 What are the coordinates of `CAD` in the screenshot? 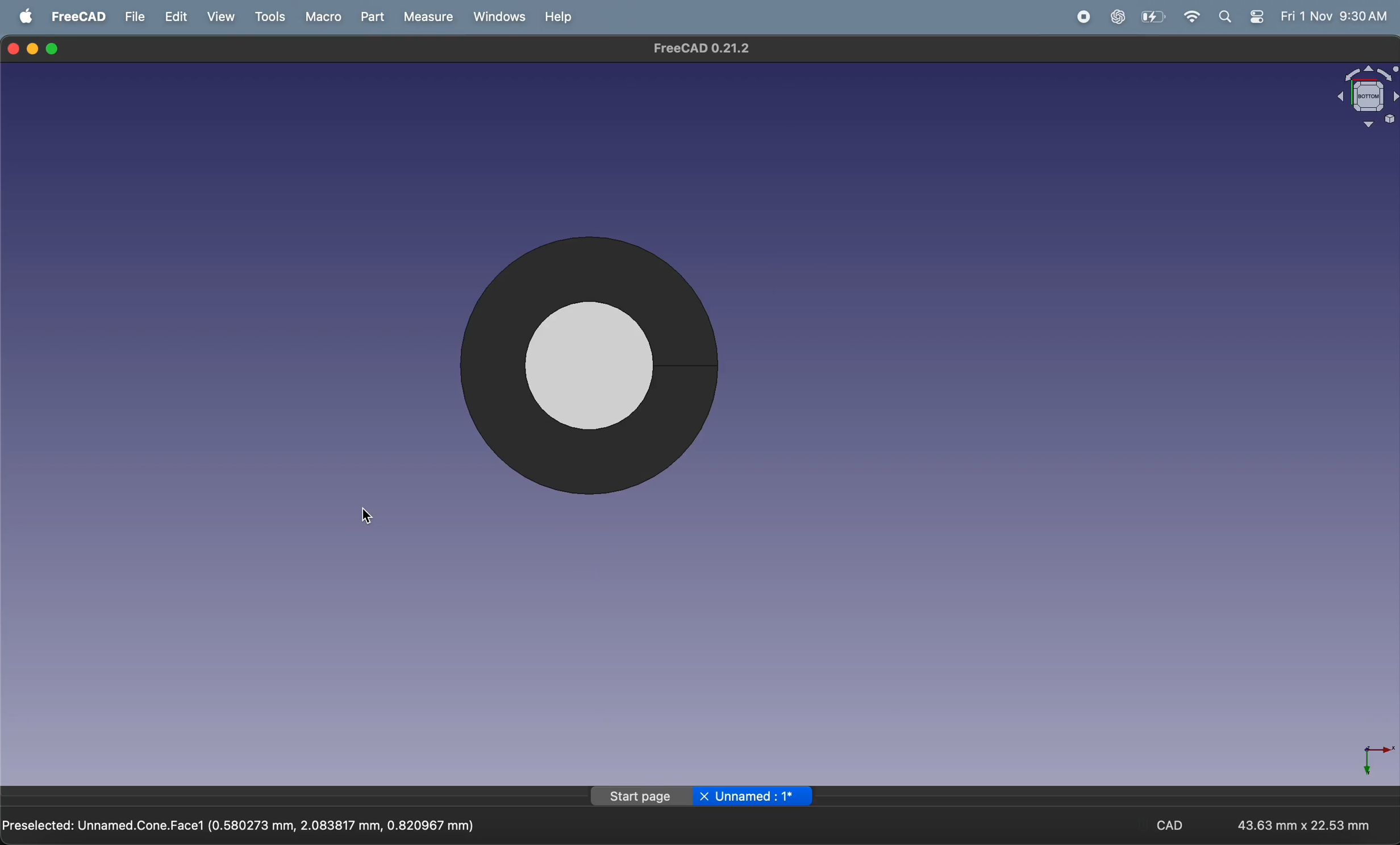 It's located at (1179, 824).